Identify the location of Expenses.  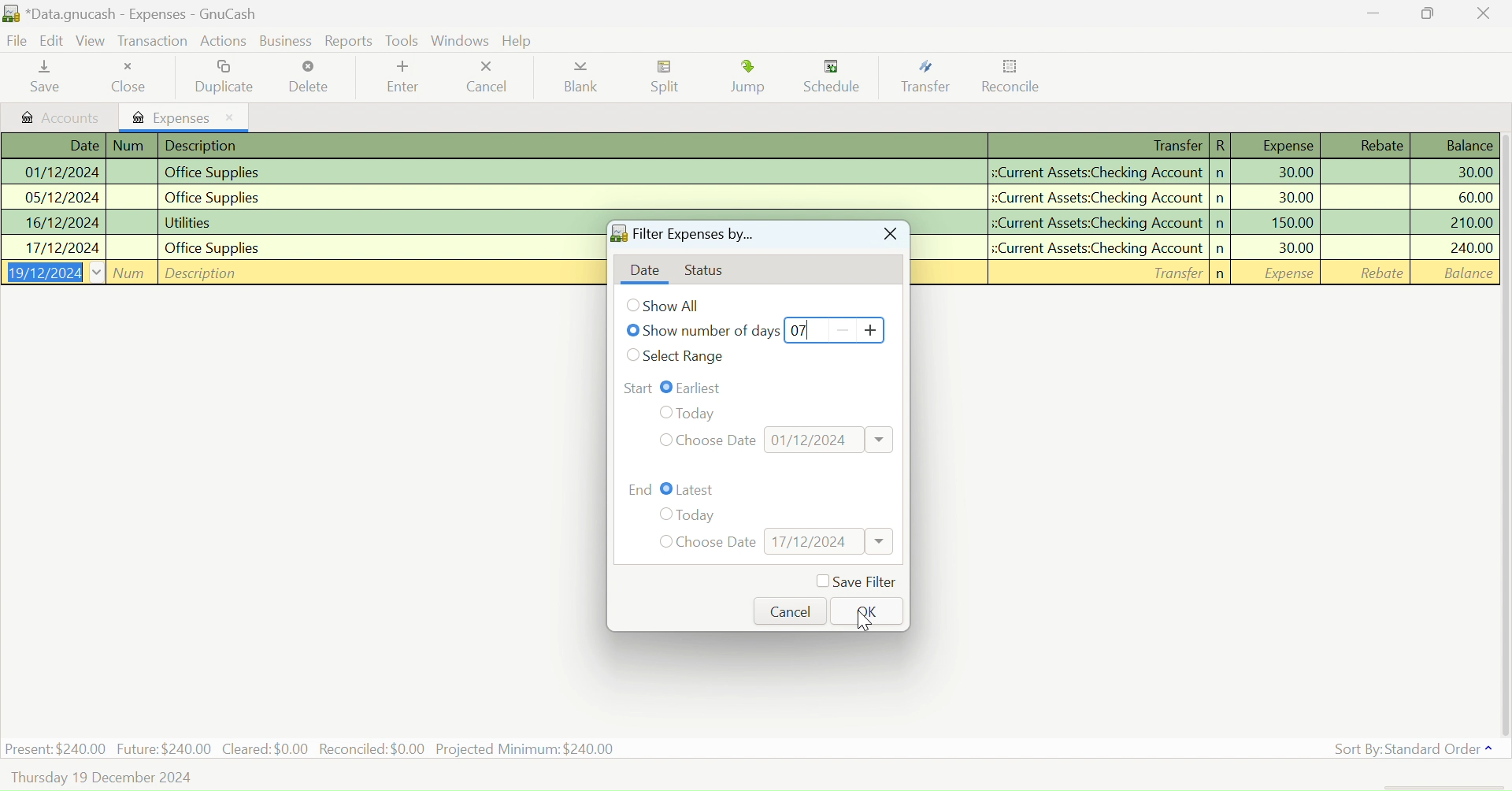
(186, 117).